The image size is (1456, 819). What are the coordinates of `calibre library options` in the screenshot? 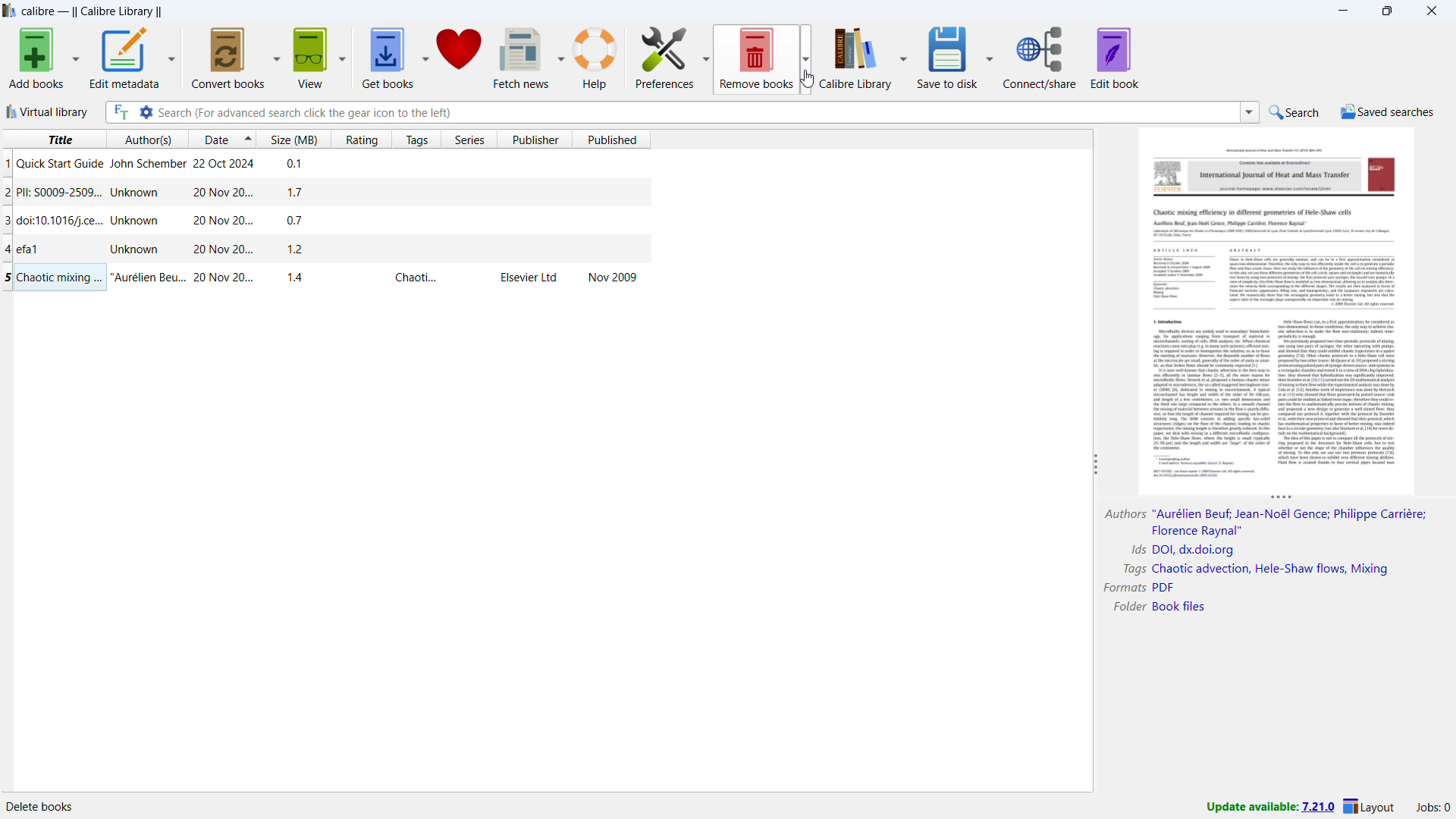 It's located at (904, 55).